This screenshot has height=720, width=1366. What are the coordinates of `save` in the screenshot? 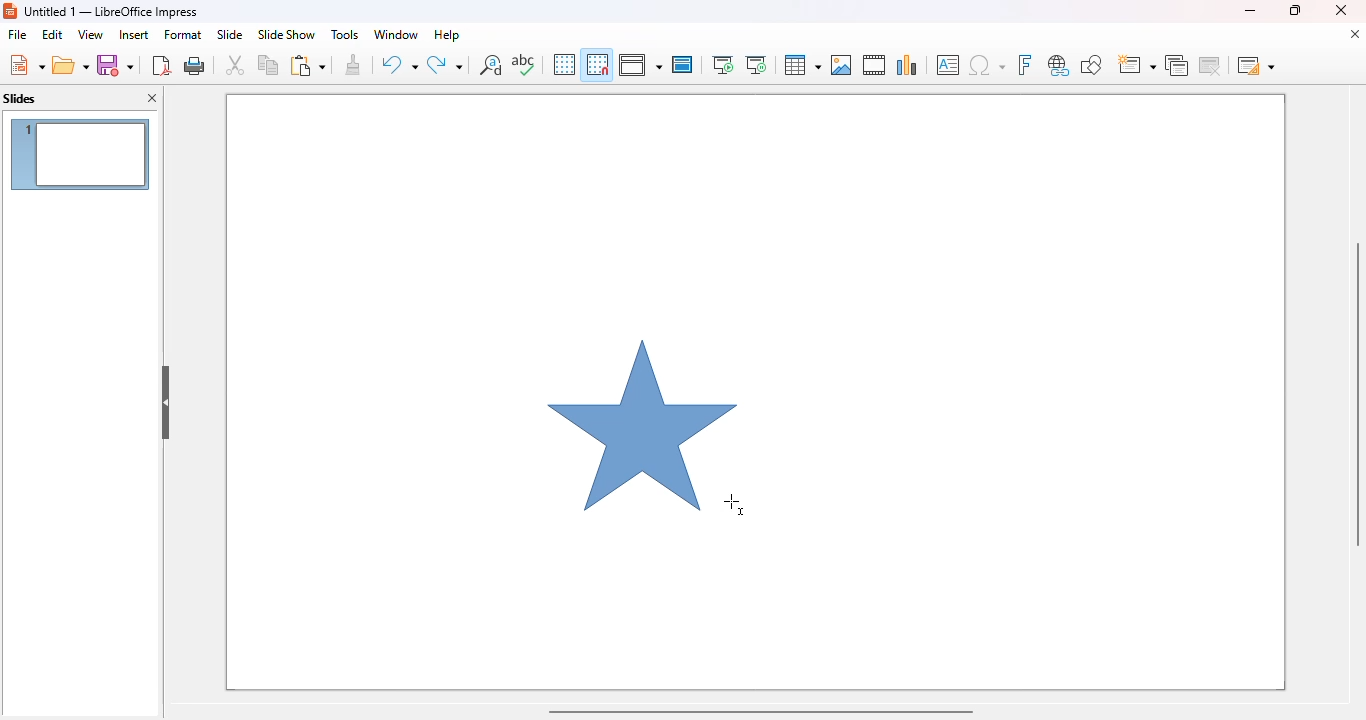 It's located at (115, 65).